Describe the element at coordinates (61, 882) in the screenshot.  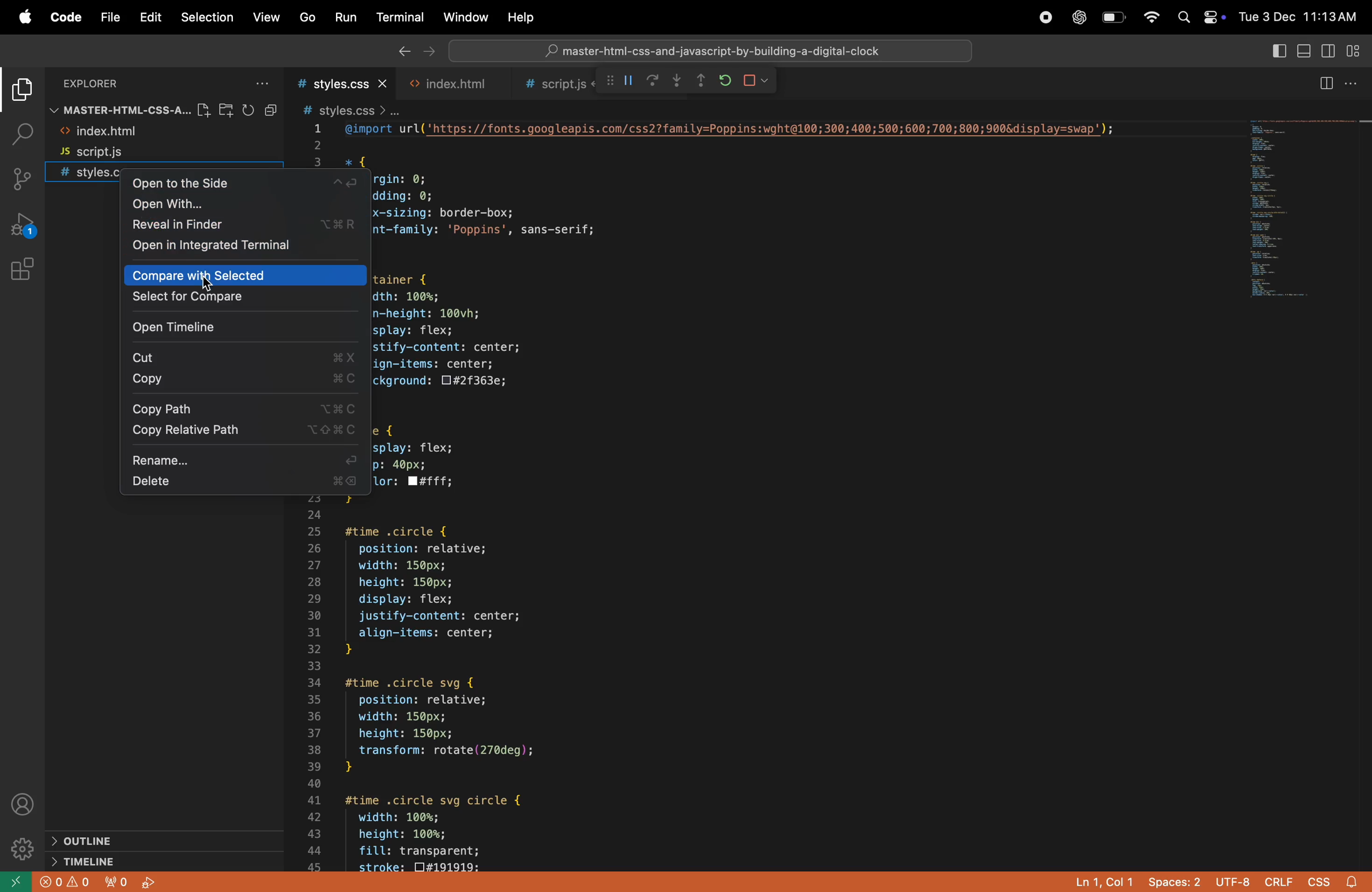
I see `error` at that location.